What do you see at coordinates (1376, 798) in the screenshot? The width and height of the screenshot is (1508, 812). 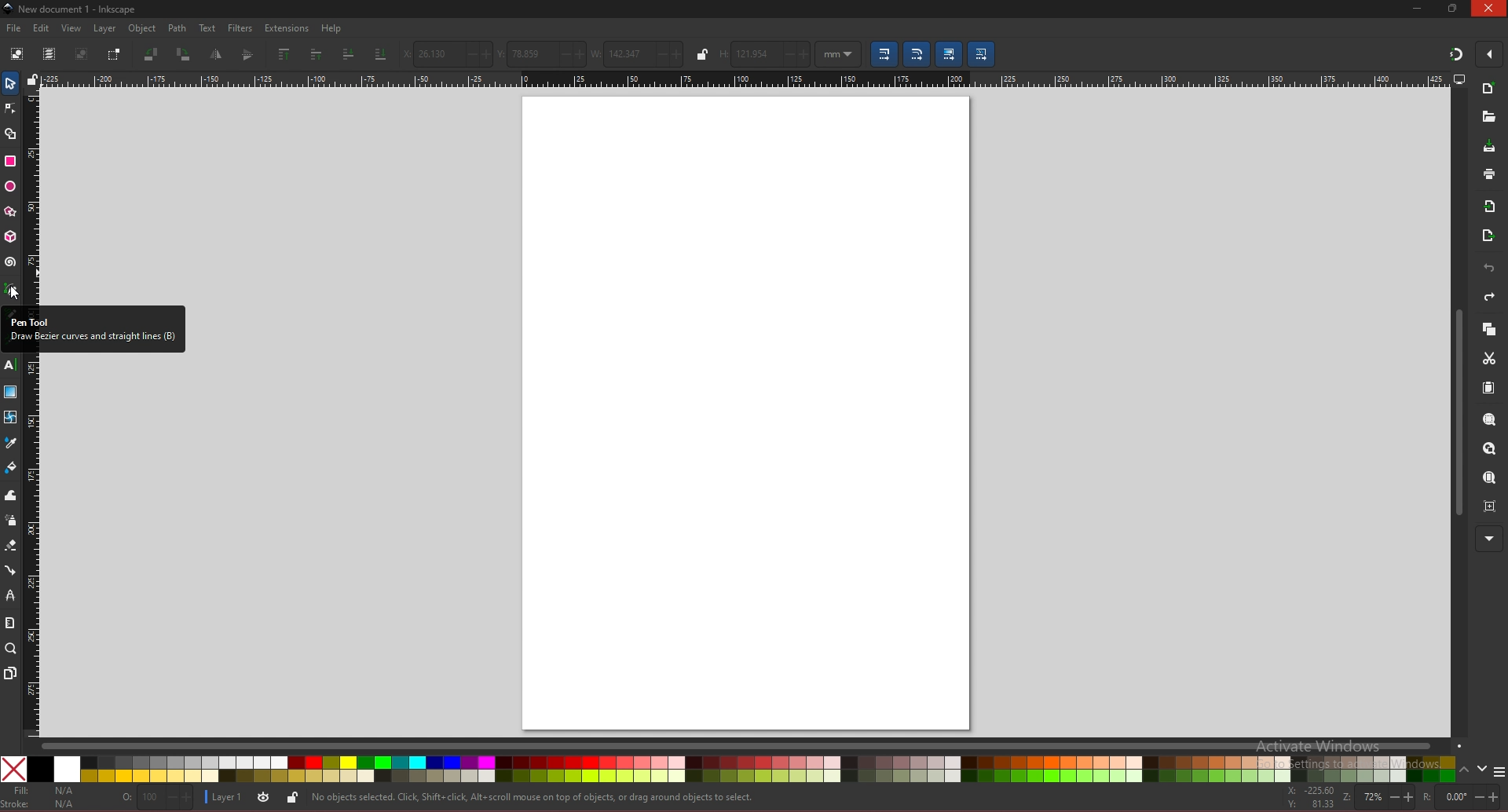 I see `zoom` at bounding box center [1376, 798].